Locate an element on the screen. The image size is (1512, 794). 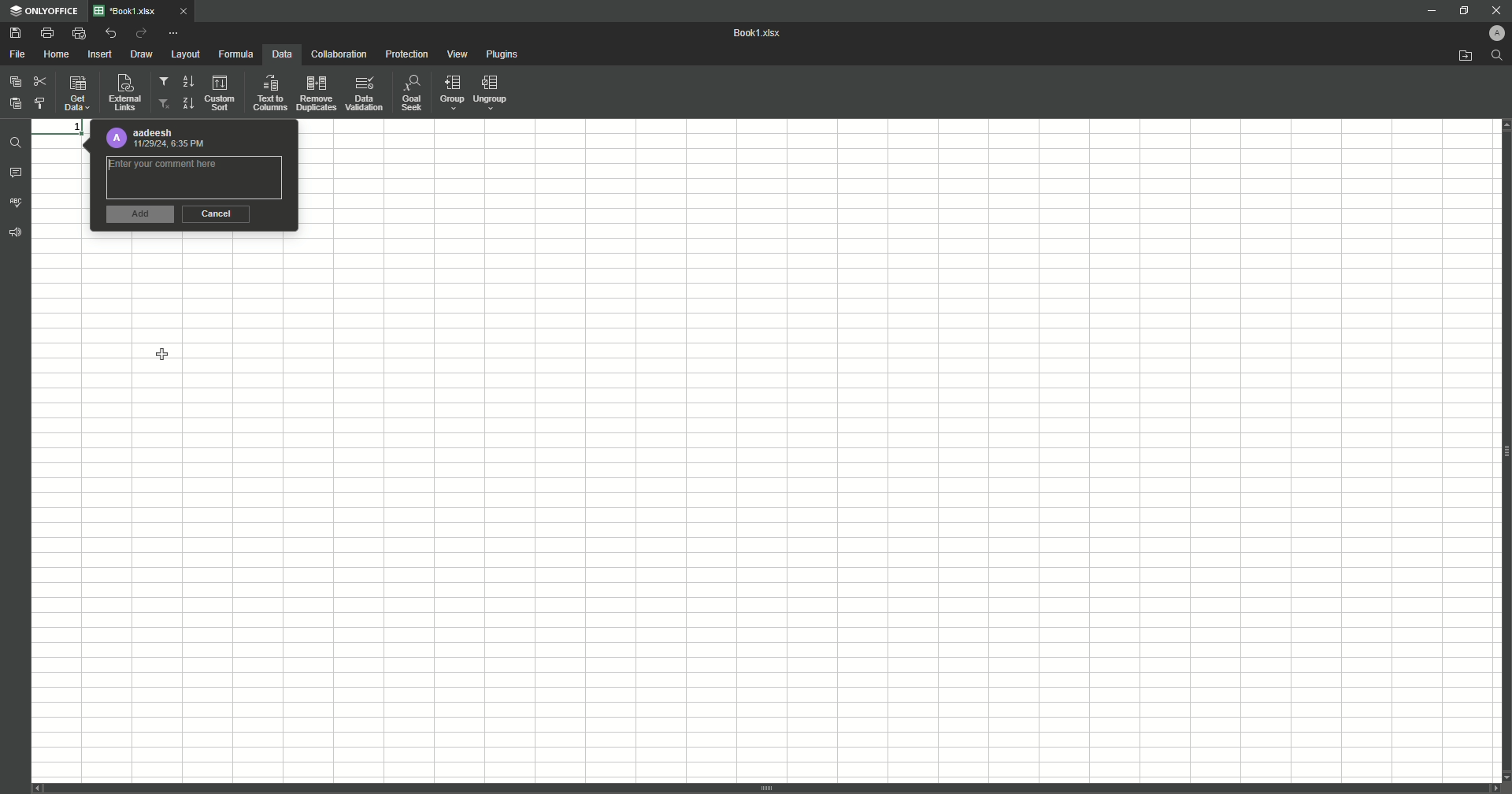
Comment Box is located at coordinates (194, 177).